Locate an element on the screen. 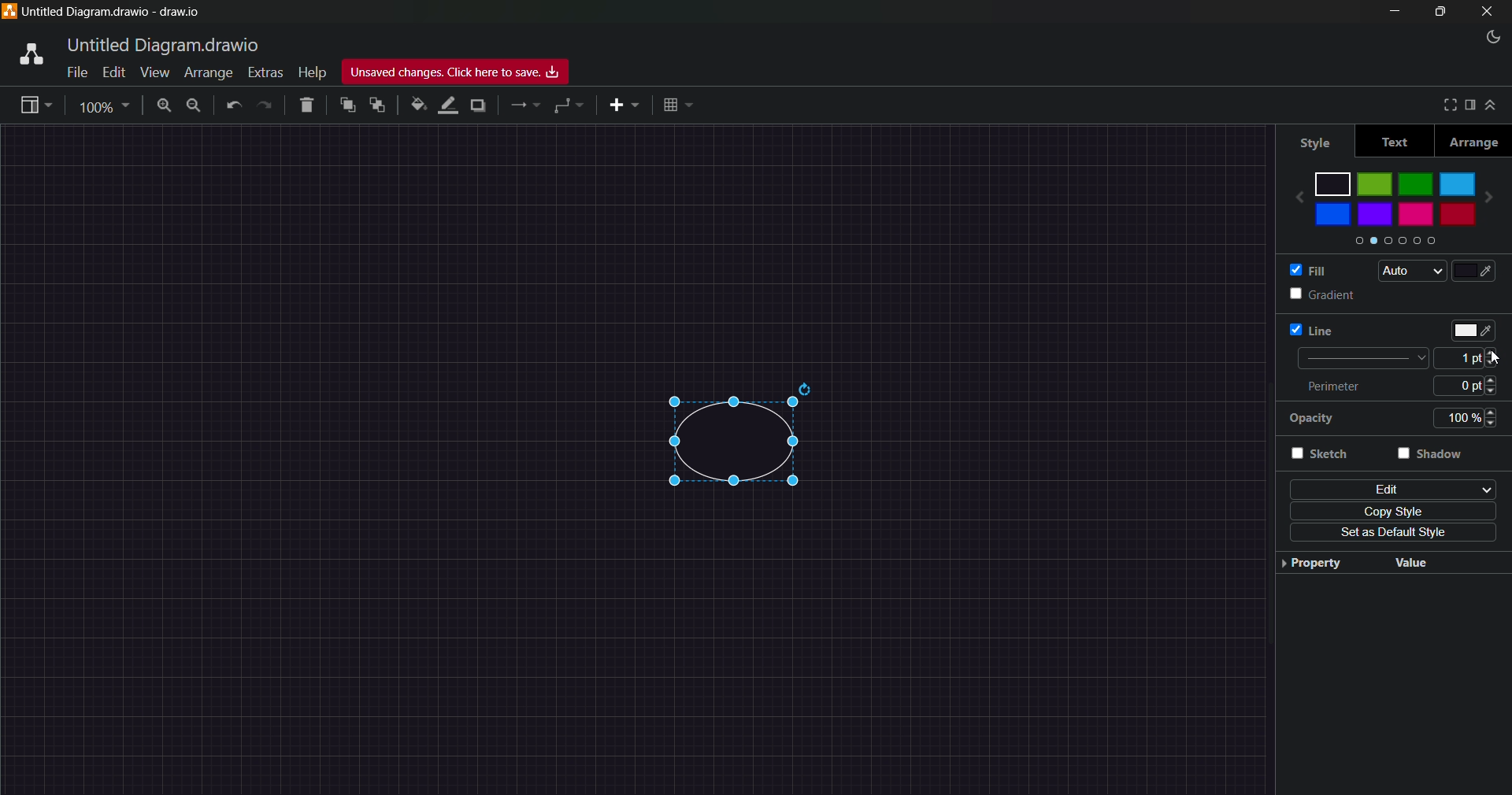  full screen is located at coordinates (1447, 105).